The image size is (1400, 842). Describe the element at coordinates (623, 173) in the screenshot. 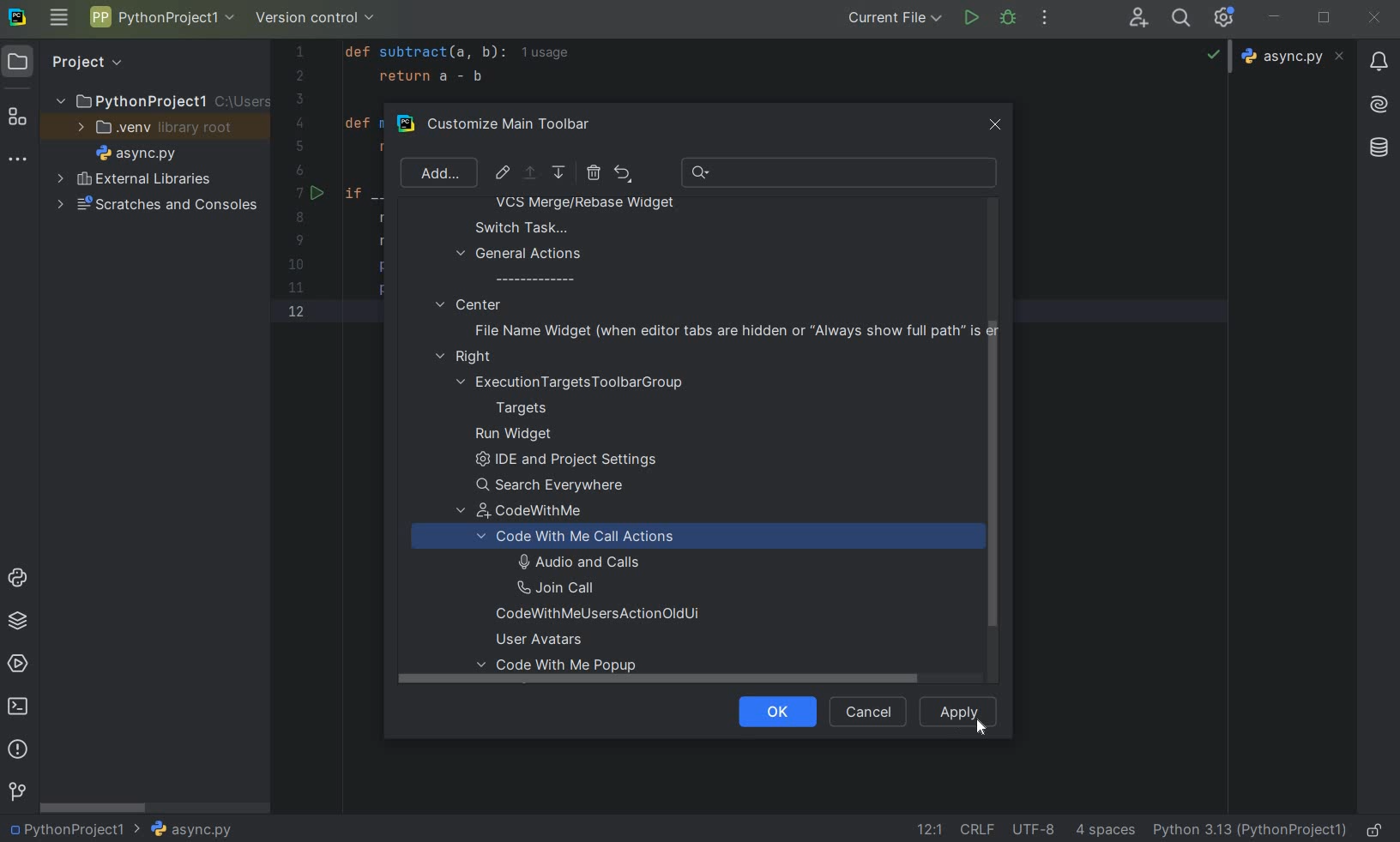

I see `RESTORE ACTIONS` at that location.